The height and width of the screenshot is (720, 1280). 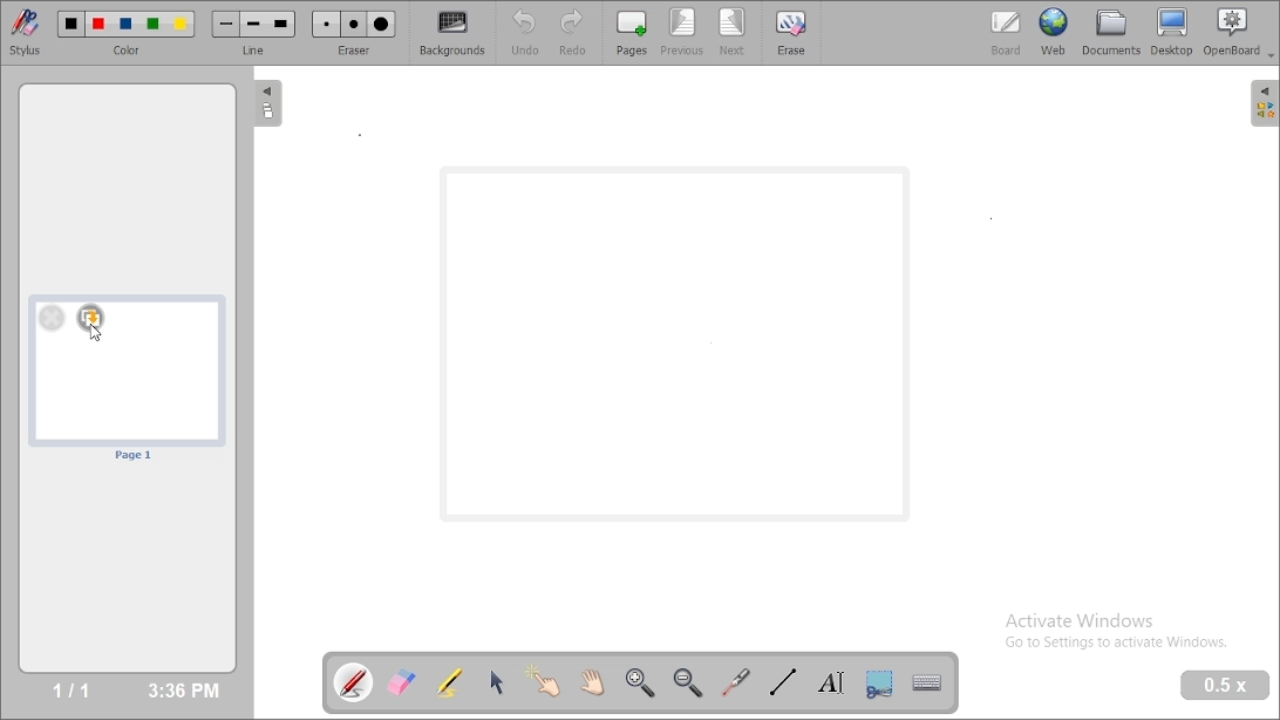 I want to click on pages, so click(x=632, y=32).